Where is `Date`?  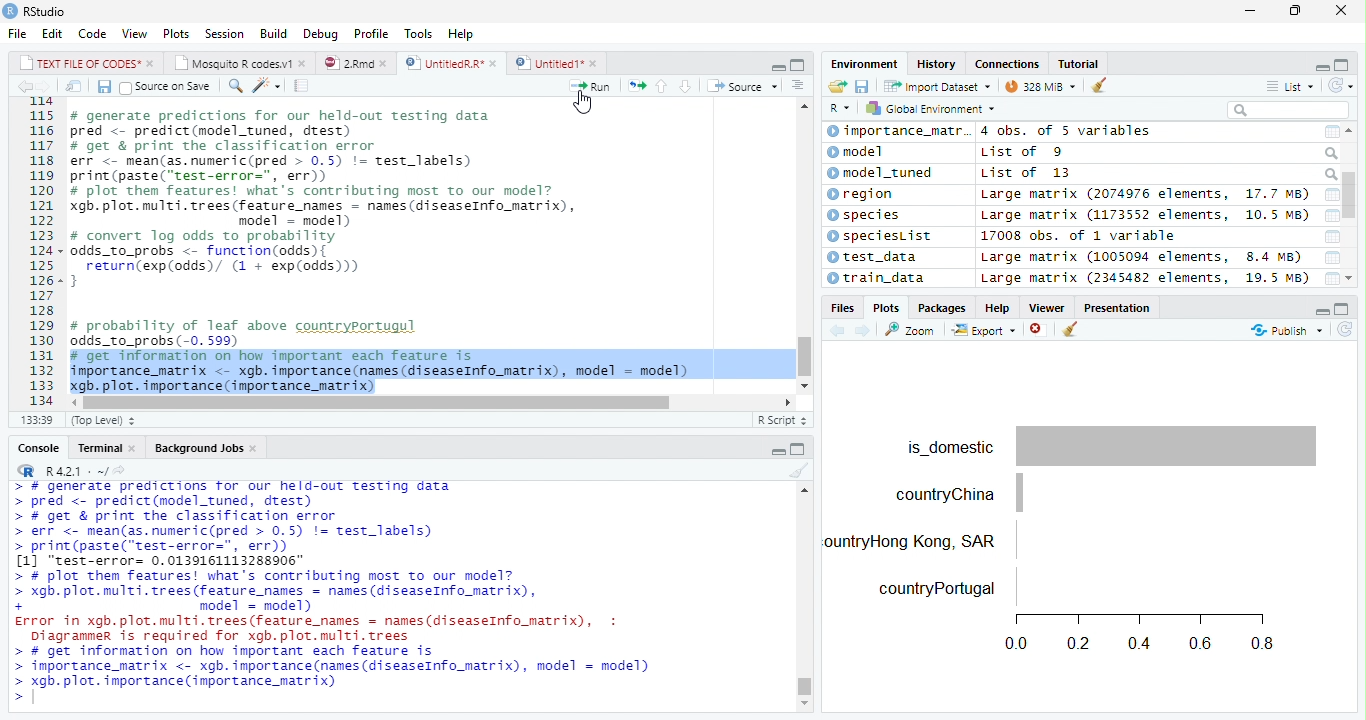
Date is located at coordinates (1332, 279).